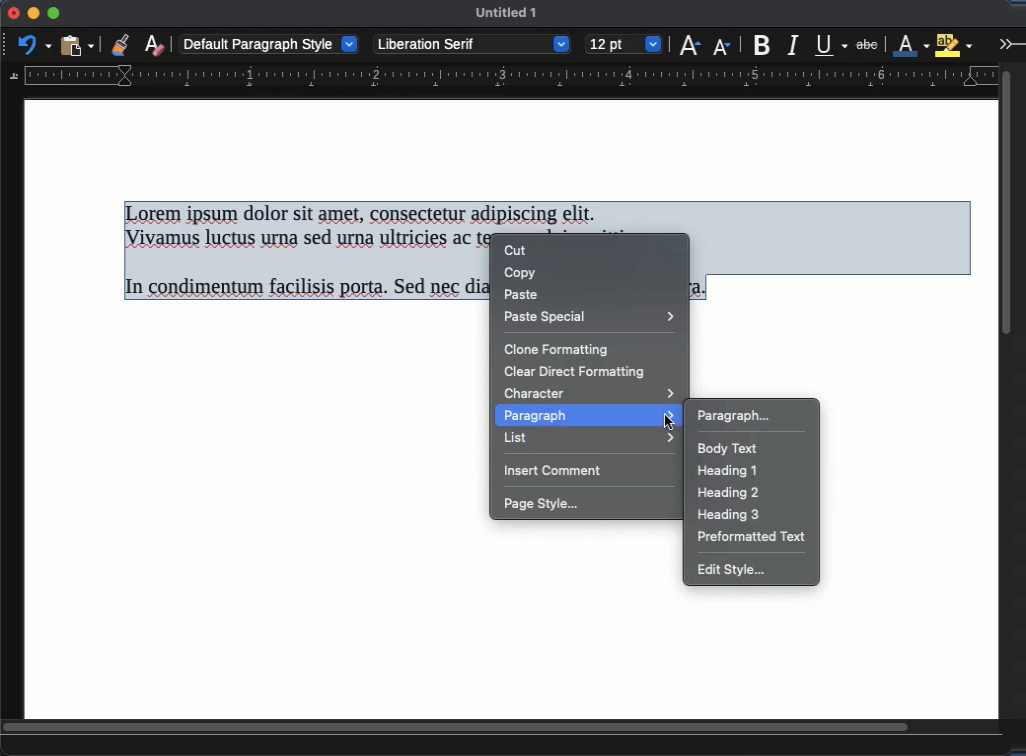 This screenshot has height=756, width=1026. What do you see at coordinates (545, 506) in the screenshot?
I see `page style ` at bounding box center [545, 506].